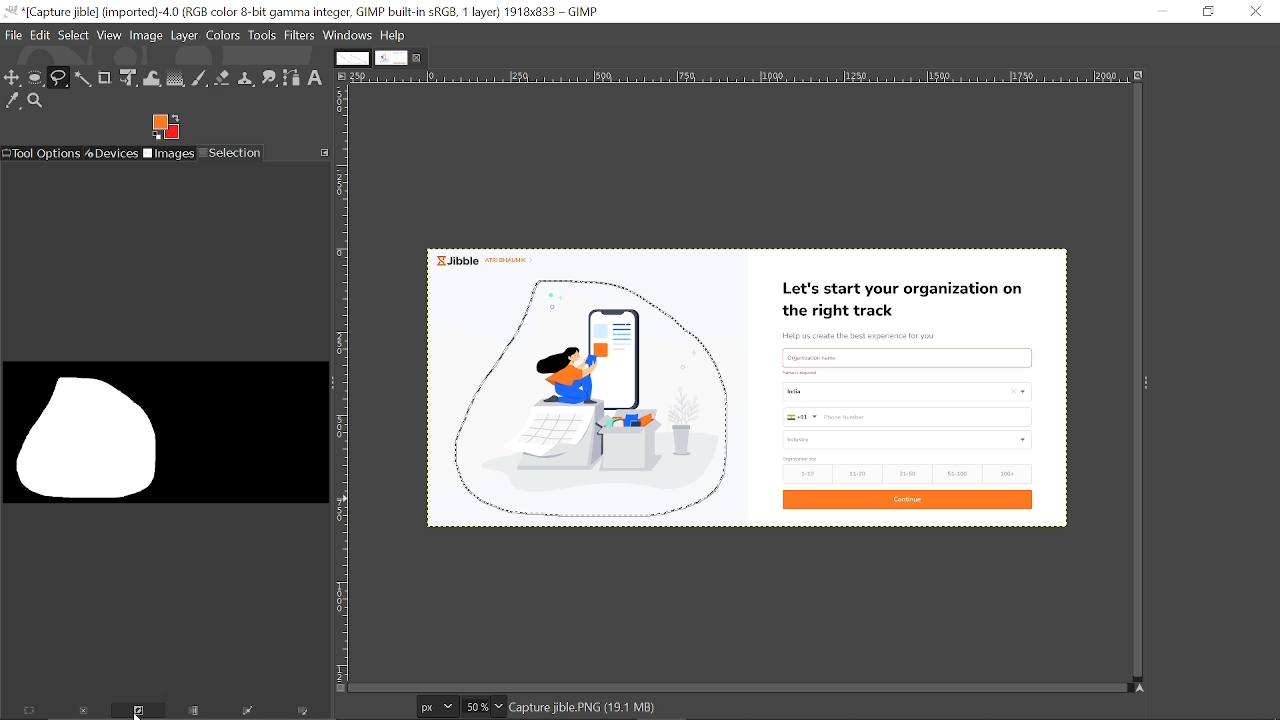 Image resolution: width=1280 pixels, height=720 pixels. I want to click on Filters, so click(298, 36).